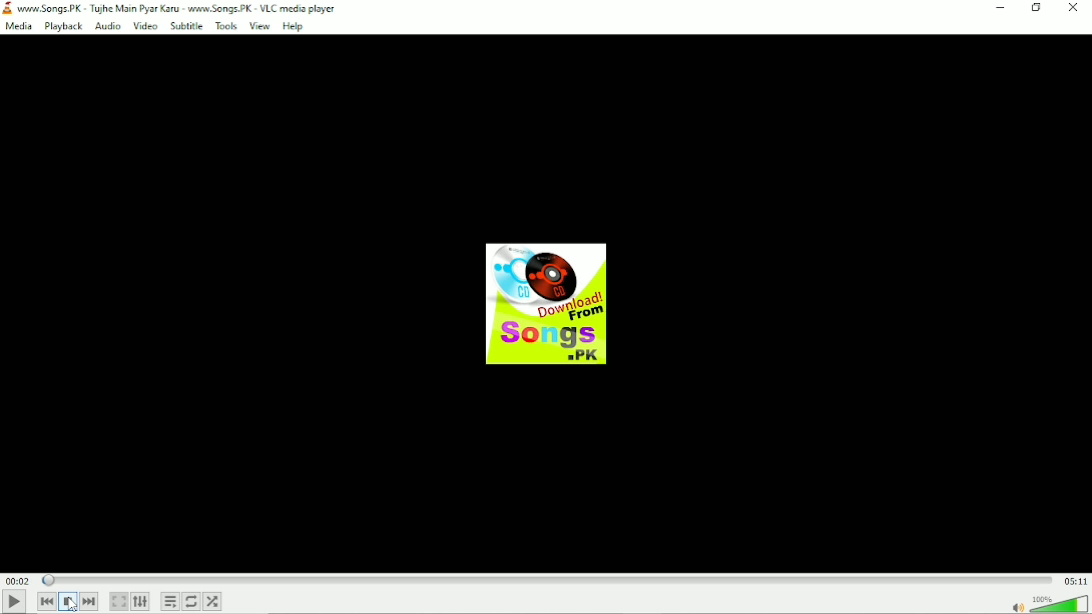  I want to click on Audio, so click(108, 27).